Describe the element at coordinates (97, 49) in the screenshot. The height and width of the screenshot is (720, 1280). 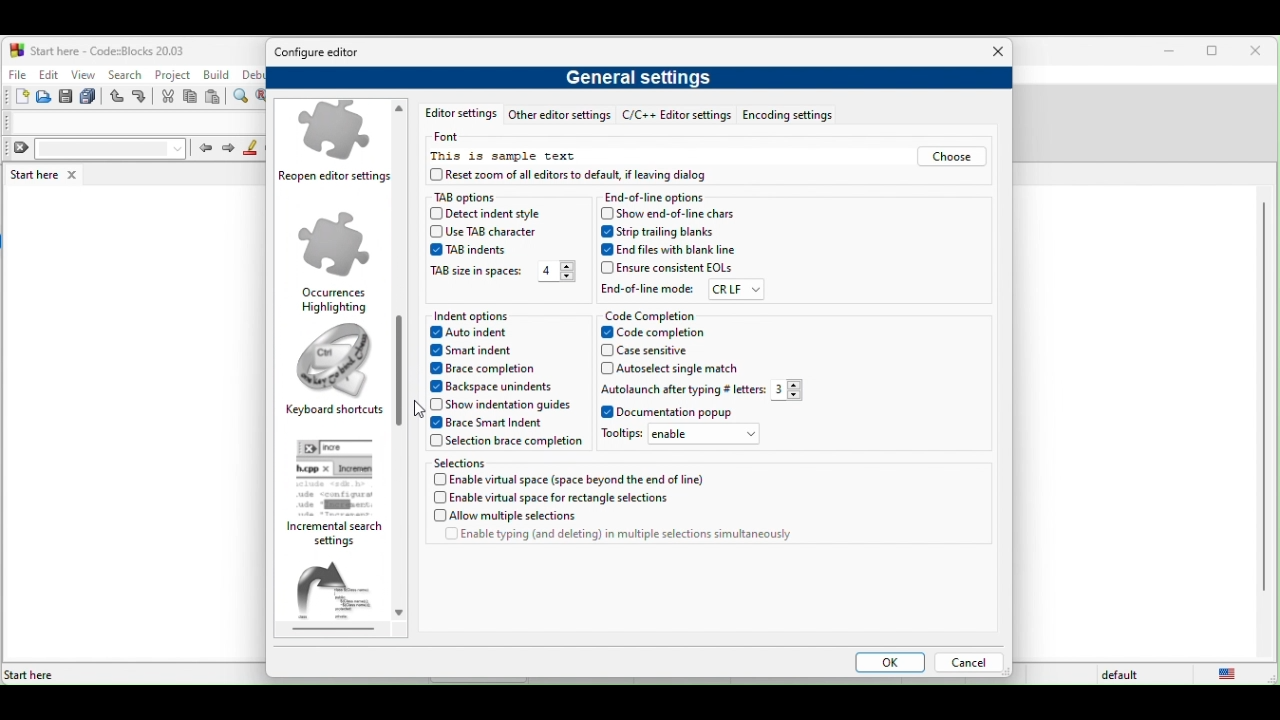
I see `start here-code blocks-20.03` at that location.